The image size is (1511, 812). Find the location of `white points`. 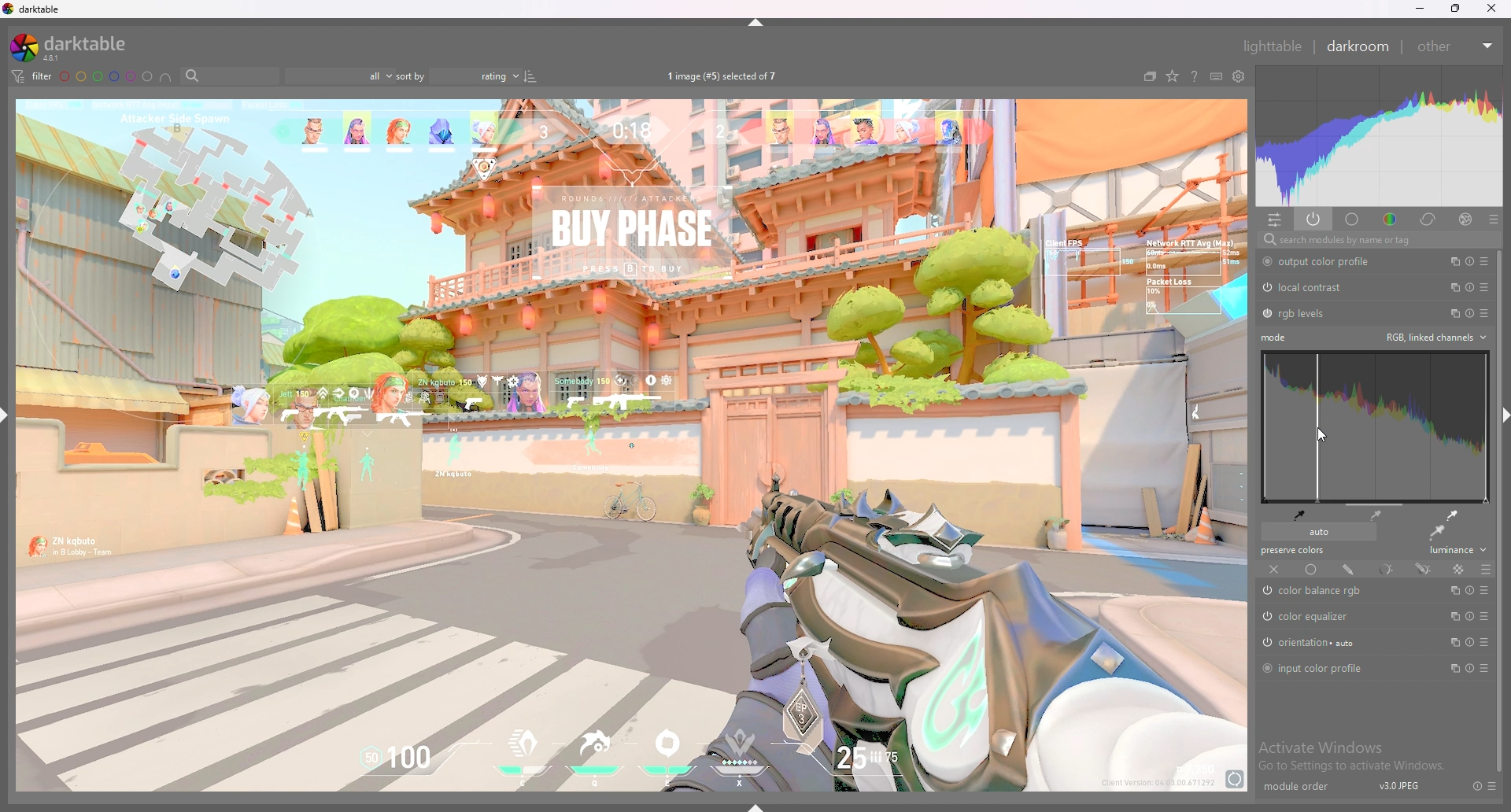

white points is located at coordinates (1450, 515).